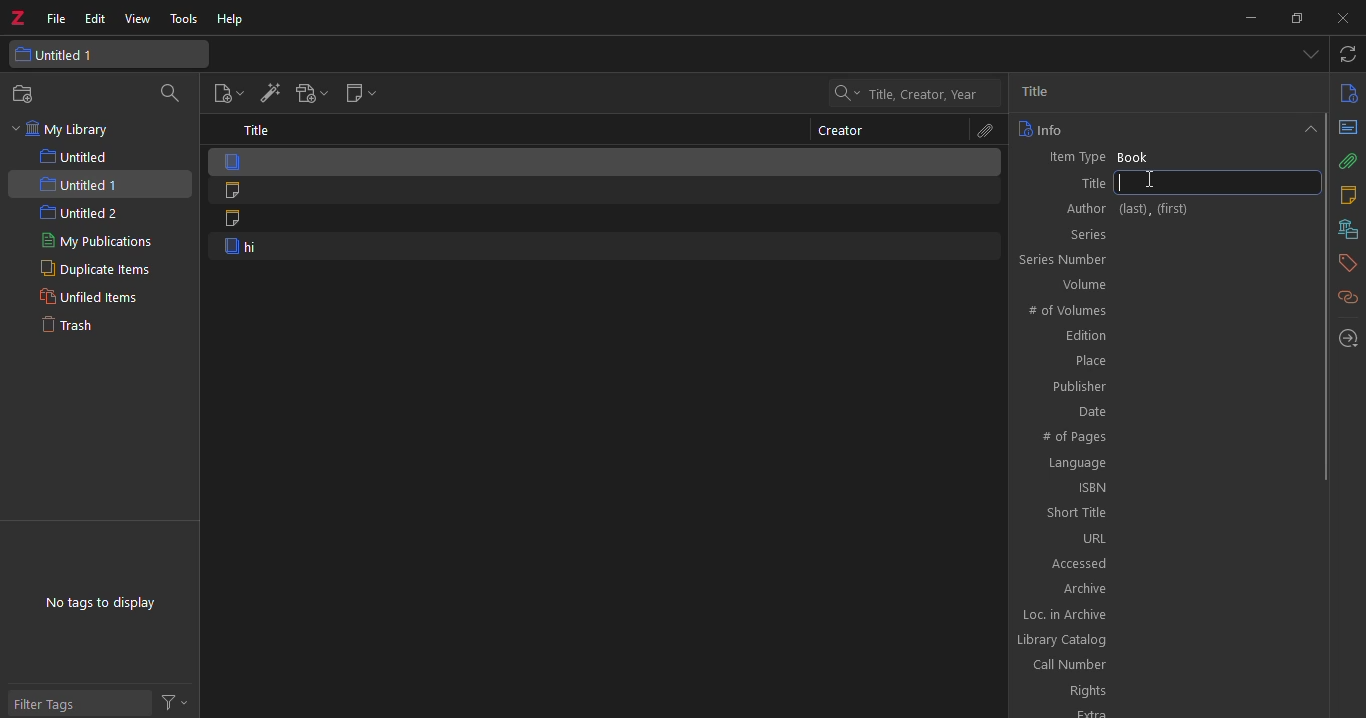  What do you see at coordinates (1151, 181) in the screenshot?
I see `type cursor` at bounding box center [1151, 181].